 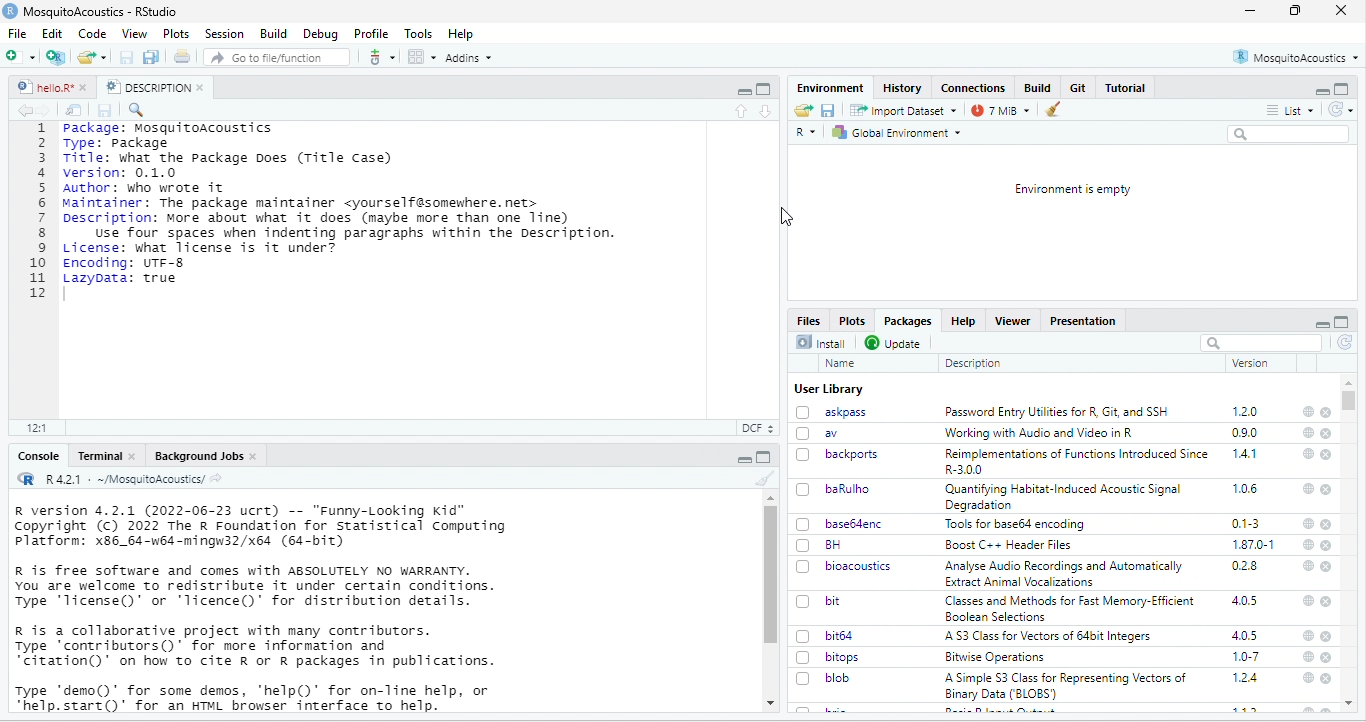 I want to click on Files, so click(x=808, y=319).